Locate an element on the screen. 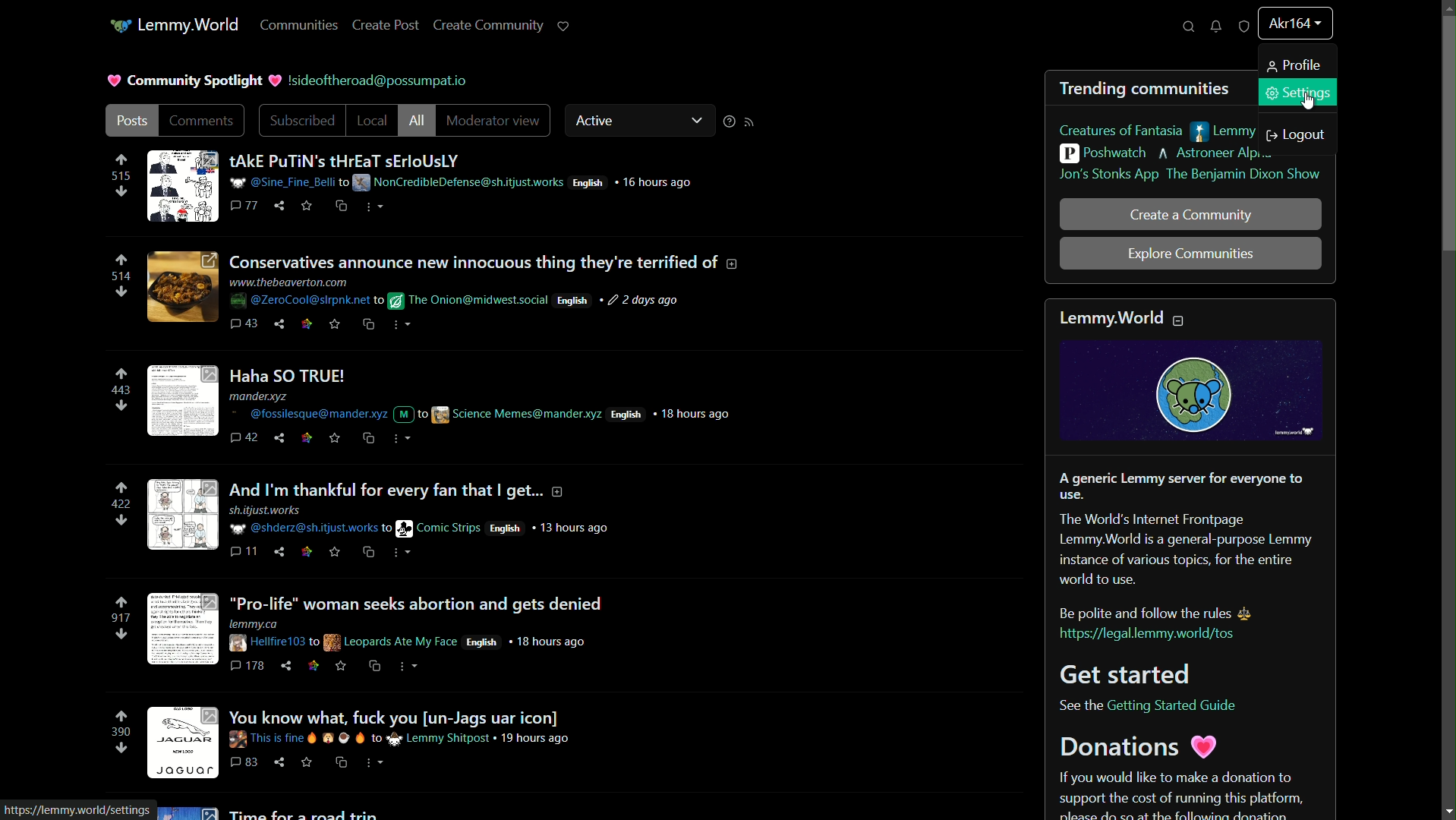 Image resolution: width=1456 pixels, height=820 pixels. create post is located at coordinates (386, 27).